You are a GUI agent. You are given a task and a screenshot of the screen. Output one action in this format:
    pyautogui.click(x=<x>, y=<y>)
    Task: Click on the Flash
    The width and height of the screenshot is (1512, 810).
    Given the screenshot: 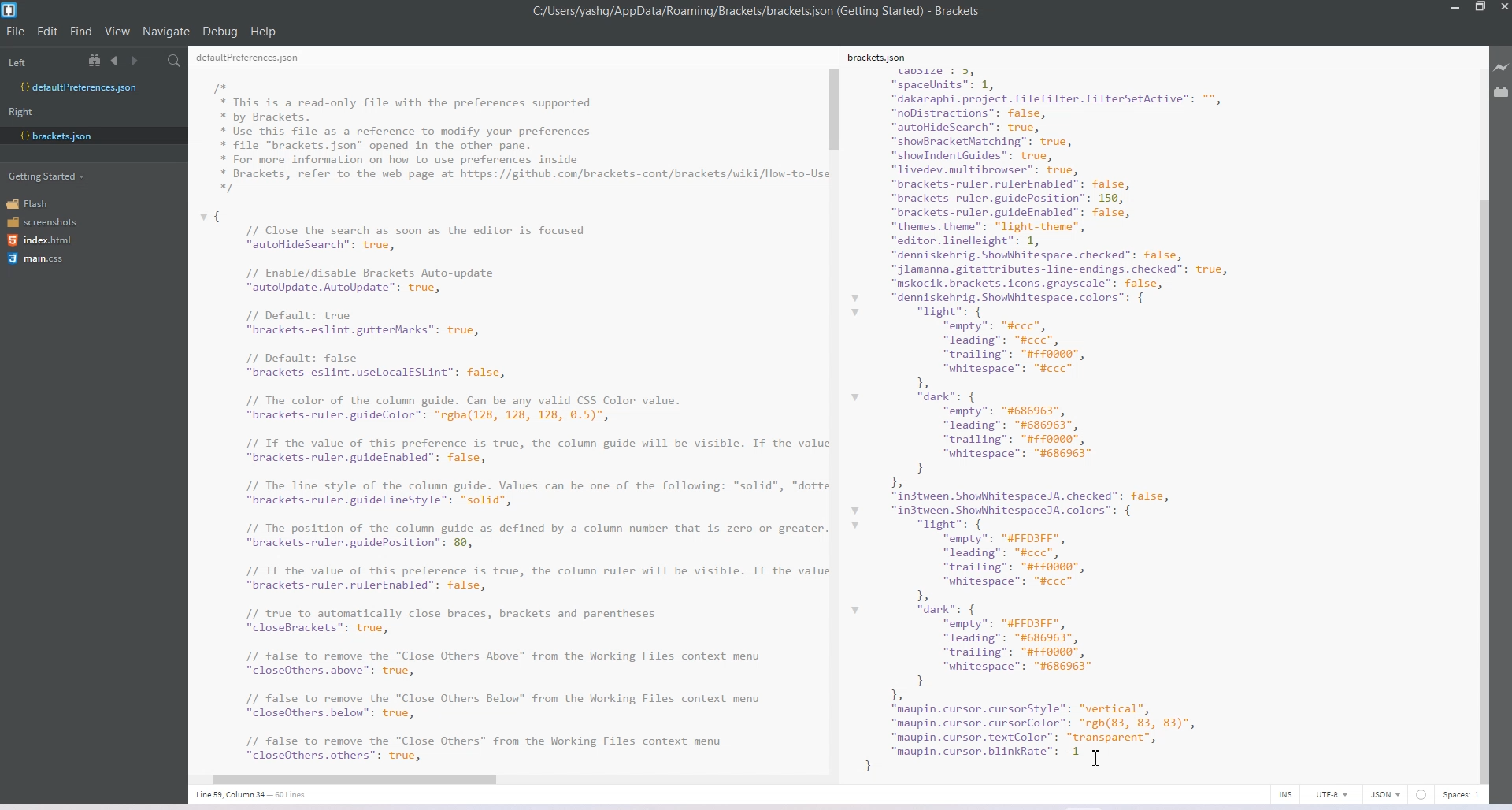 What is the action you would take?
    pyautogui.click(x=33, y=203)
    